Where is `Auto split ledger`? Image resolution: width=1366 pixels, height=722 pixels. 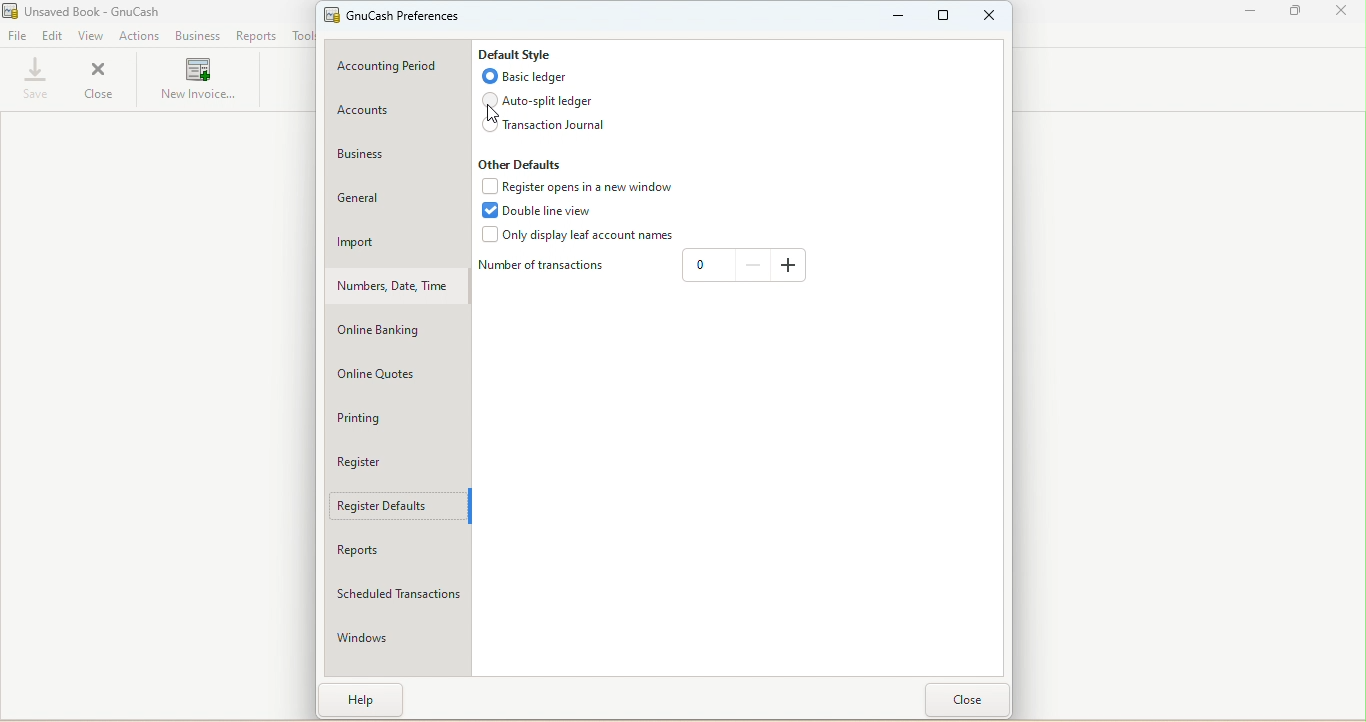
Auto split ledger is located at coordinates (544, 100).